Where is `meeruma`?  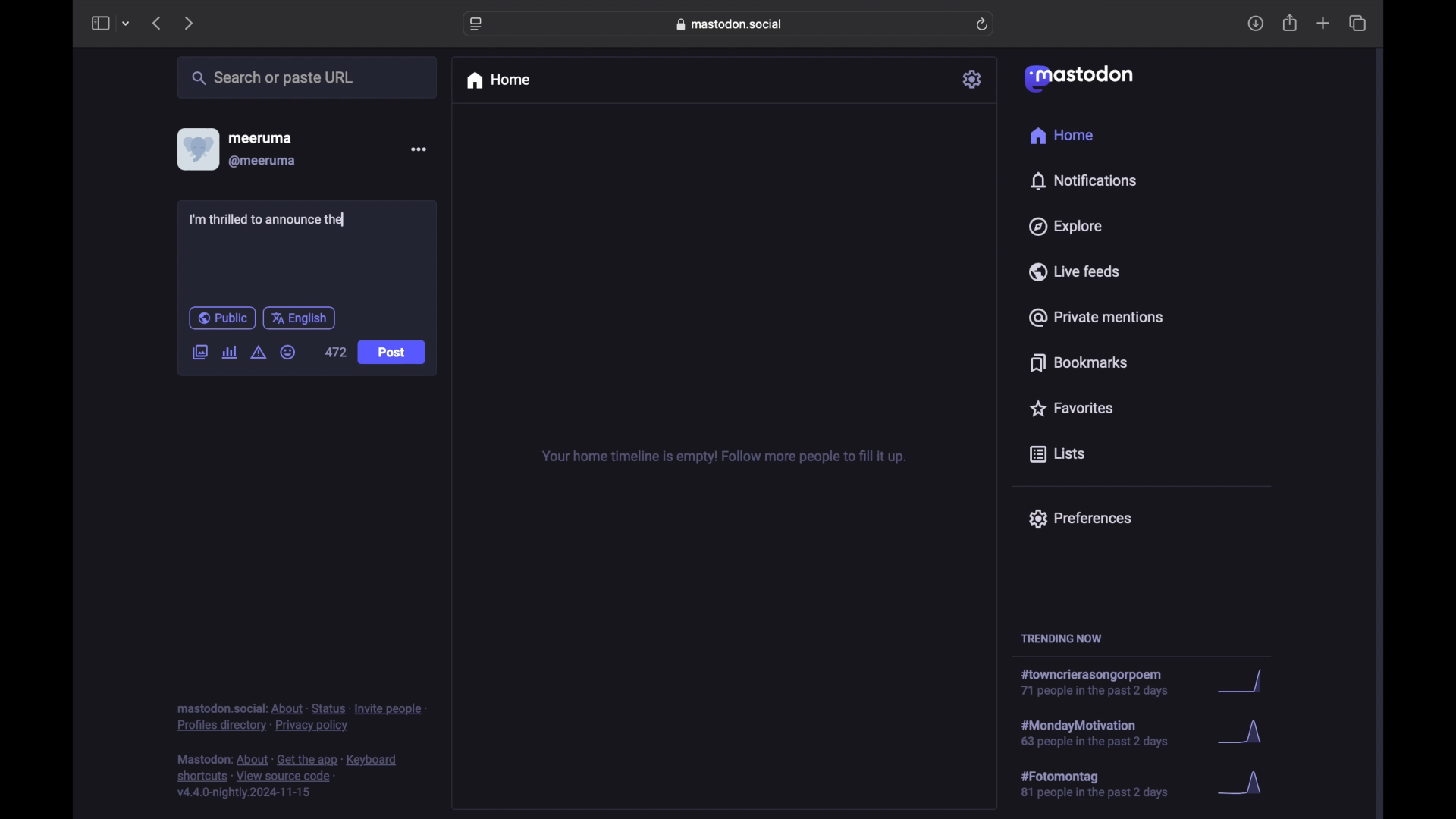 meeruma is located at coordinates (260, 138).